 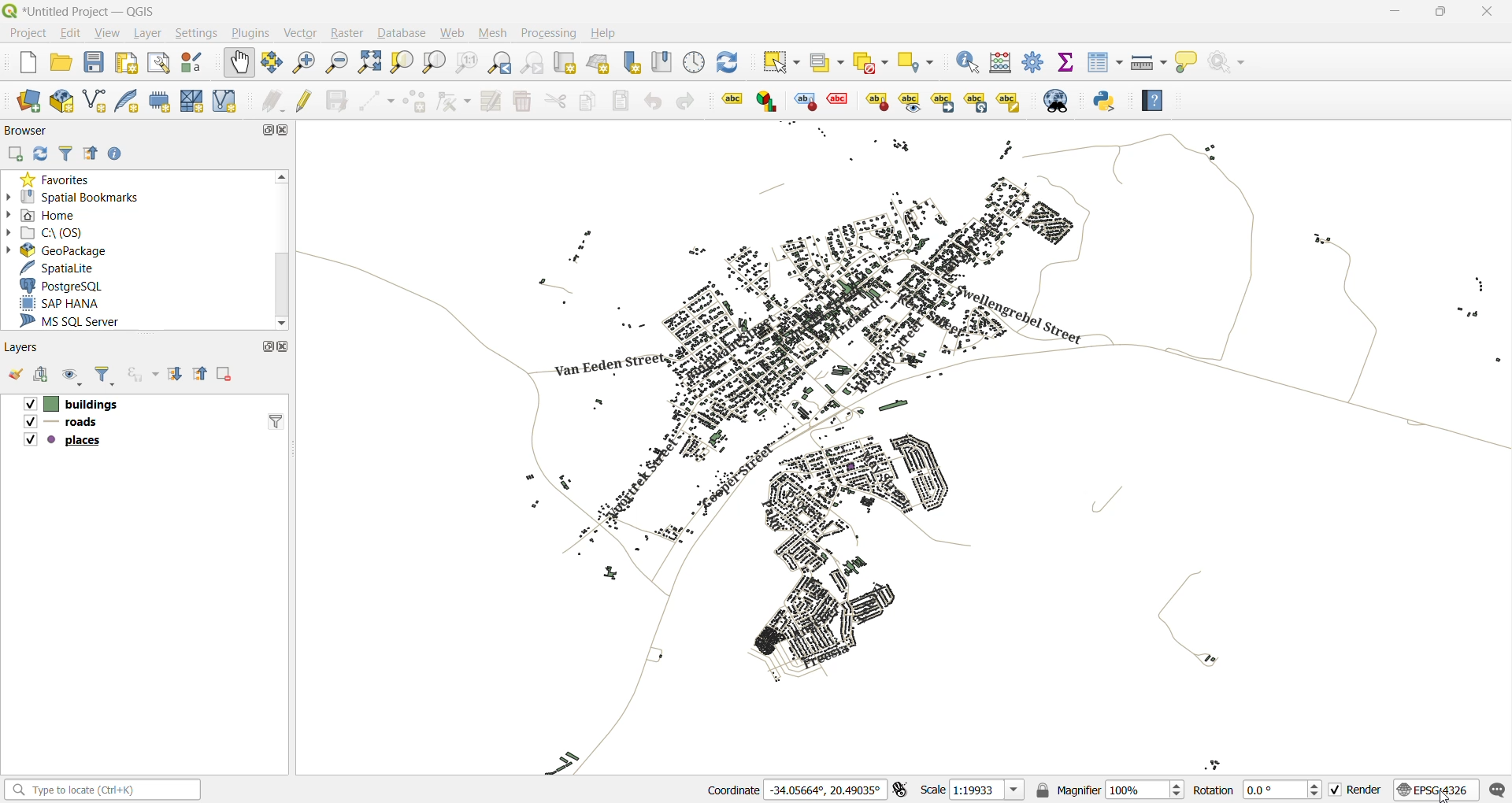 I want to click on minimize/maximize, so click(x=1440, y=14).